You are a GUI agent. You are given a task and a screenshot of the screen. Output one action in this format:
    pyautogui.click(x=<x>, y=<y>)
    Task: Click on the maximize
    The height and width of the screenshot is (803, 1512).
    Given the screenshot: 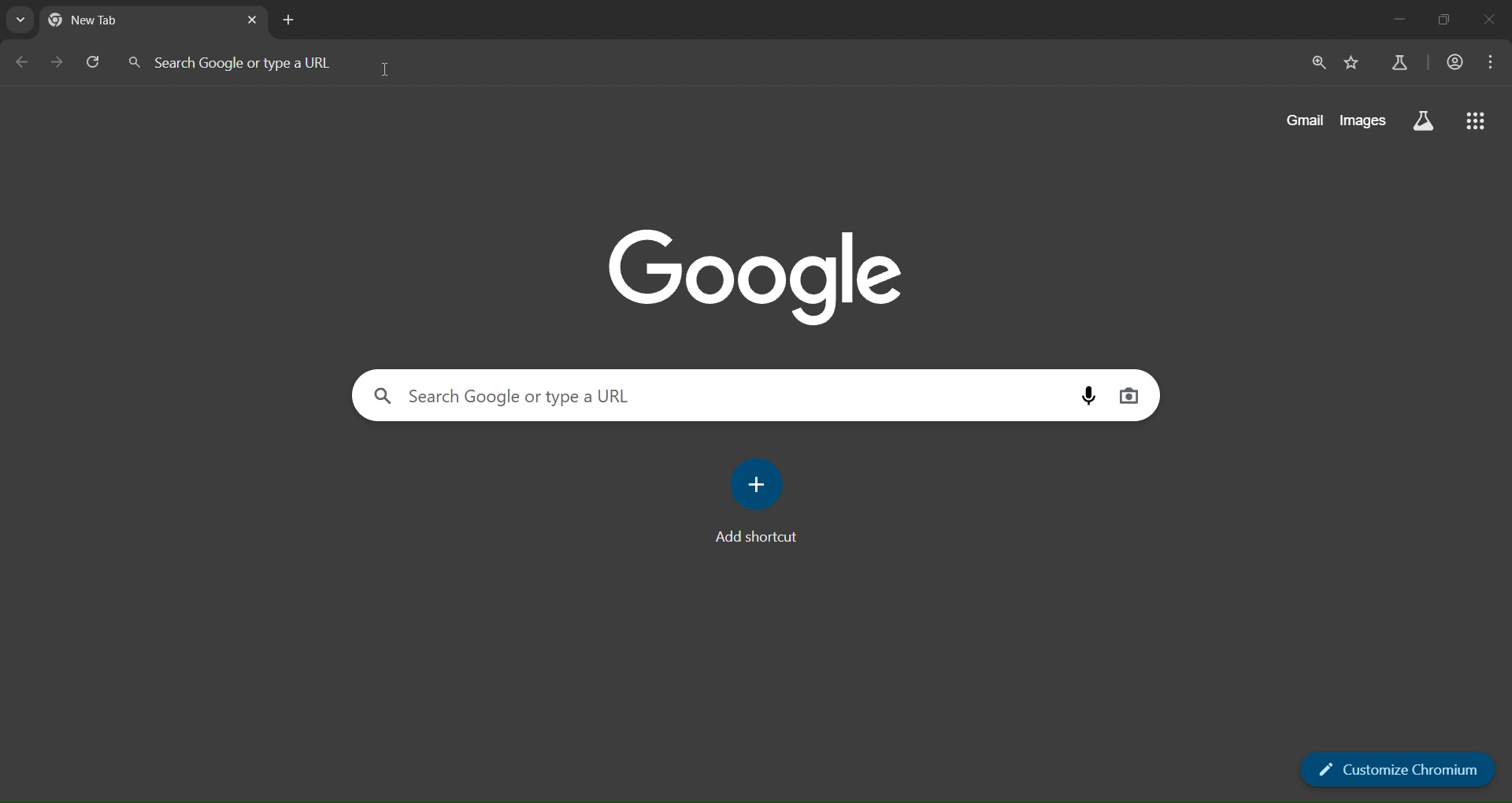 What is the action you would take?
    pyautogui.click(x=1451, y=19)
    